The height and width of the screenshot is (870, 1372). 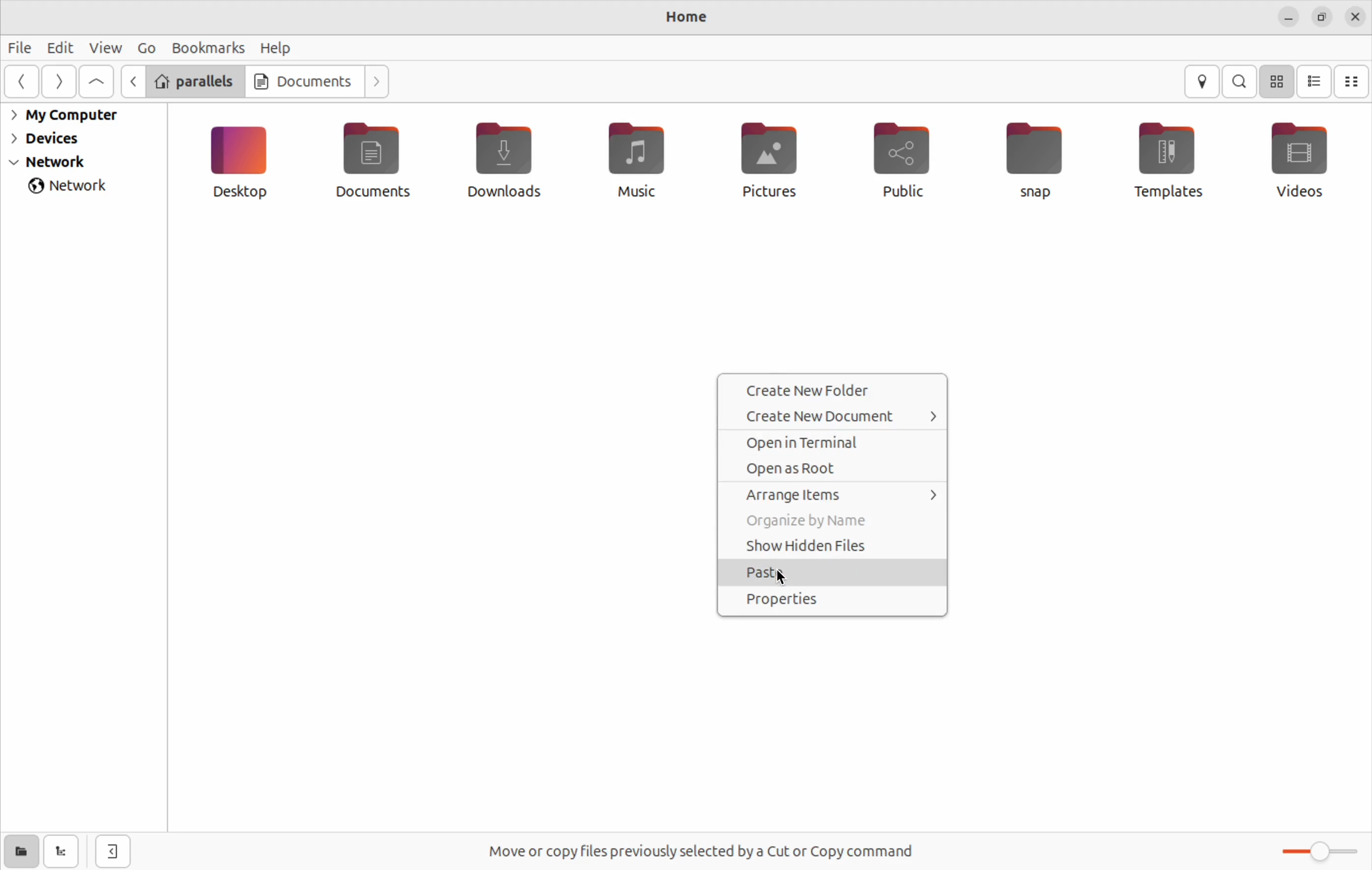 What do you see at coordinates (1290, 18) in the screenshot?
I see `minimize` at bounding box center [1290, 18].